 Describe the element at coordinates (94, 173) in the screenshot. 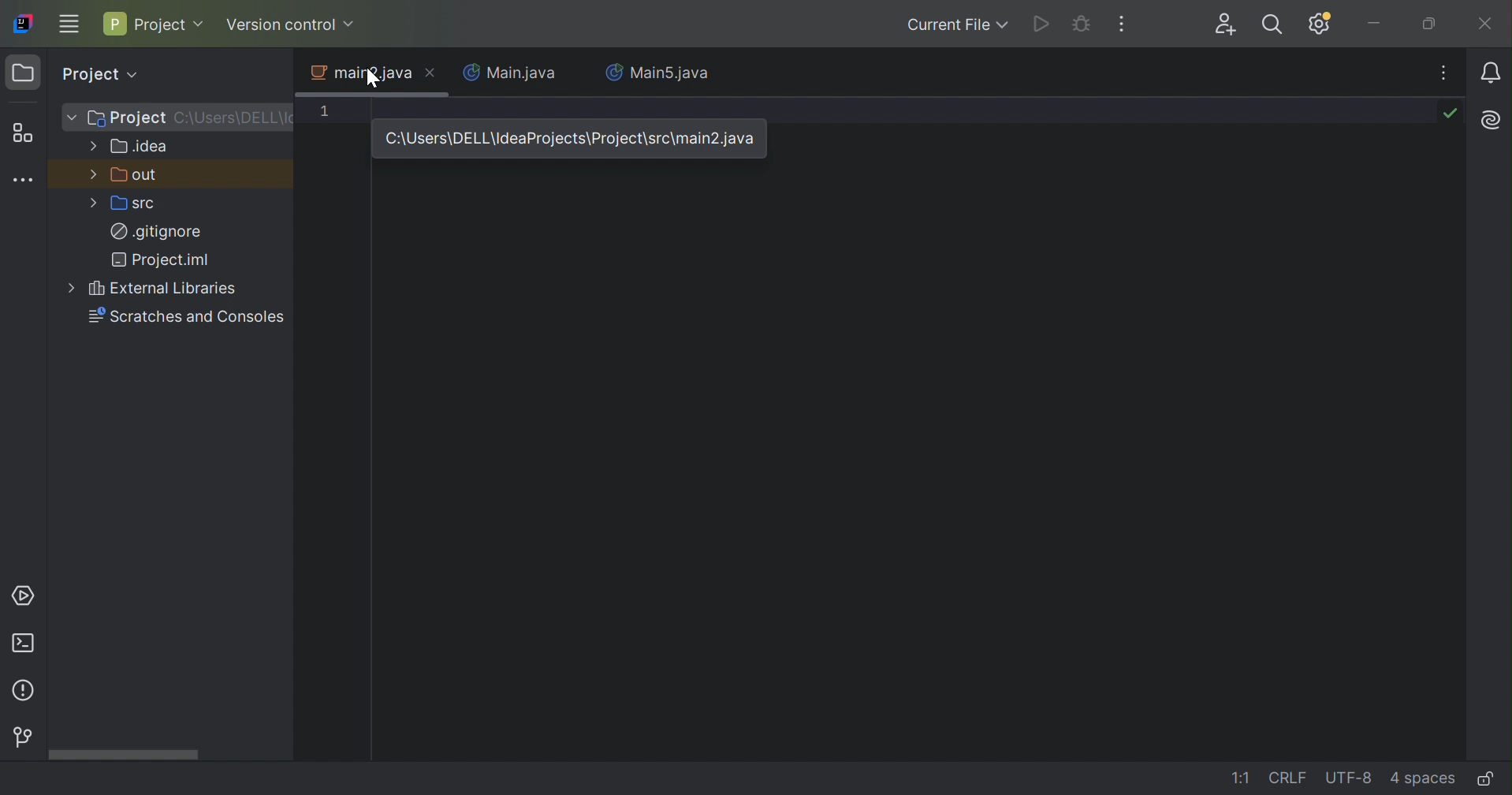

I see `More` at that location.